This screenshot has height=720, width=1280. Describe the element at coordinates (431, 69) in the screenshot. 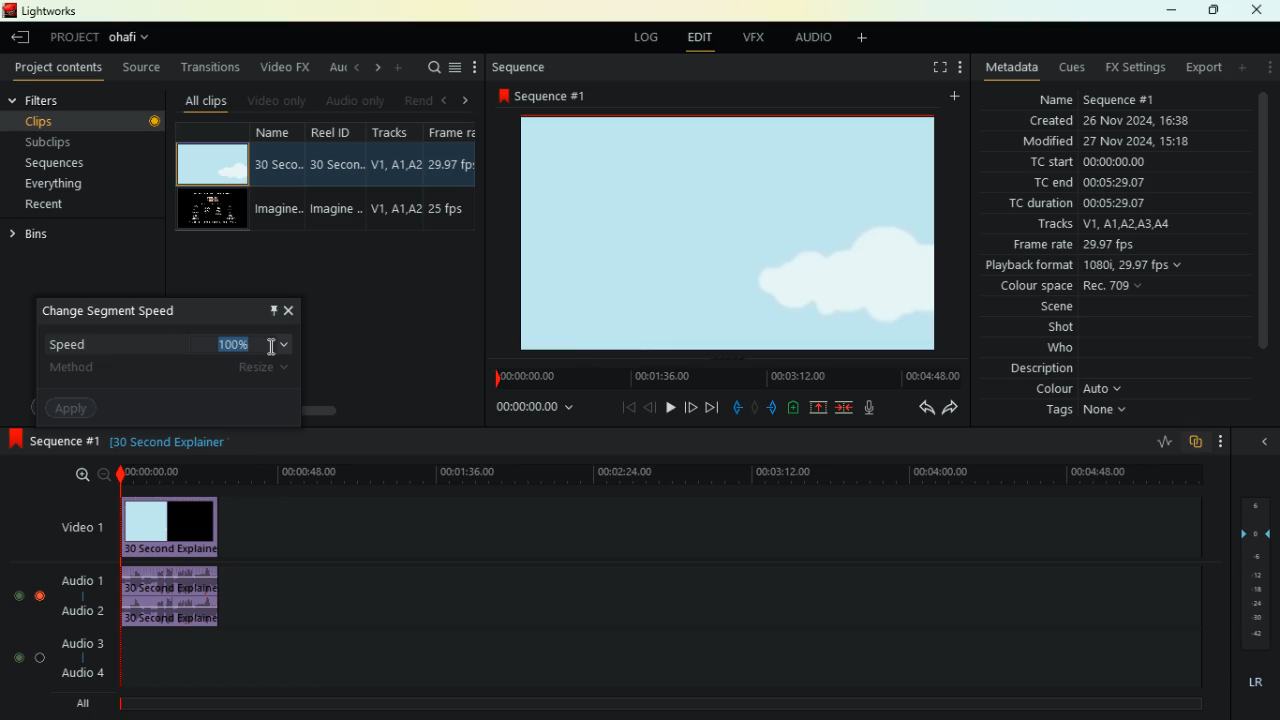

I see `search` at that location.